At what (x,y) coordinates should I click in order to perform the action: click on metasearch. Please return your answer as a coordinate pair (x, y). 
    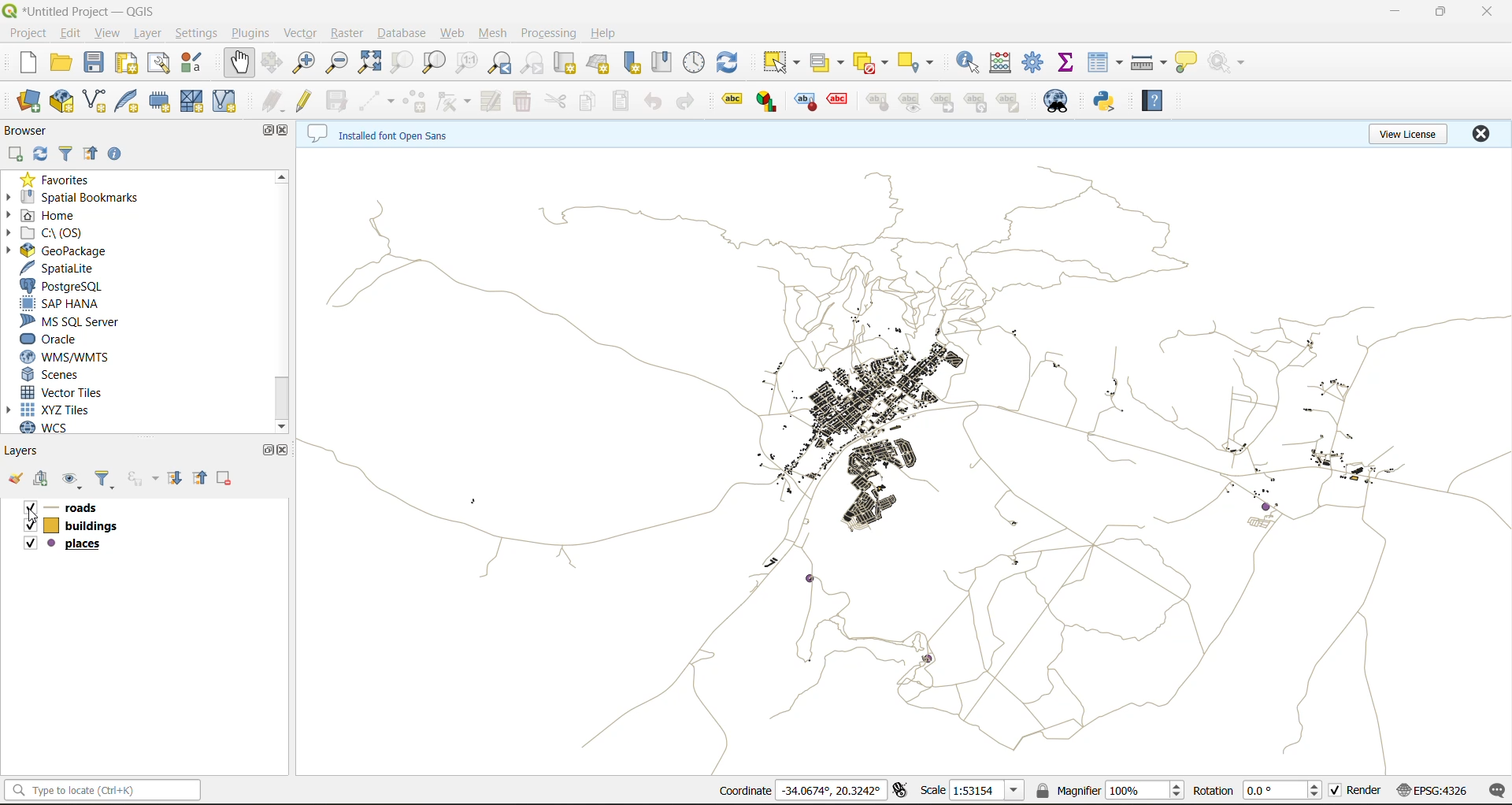
    Looking at the image, I should click on (1058, 102).